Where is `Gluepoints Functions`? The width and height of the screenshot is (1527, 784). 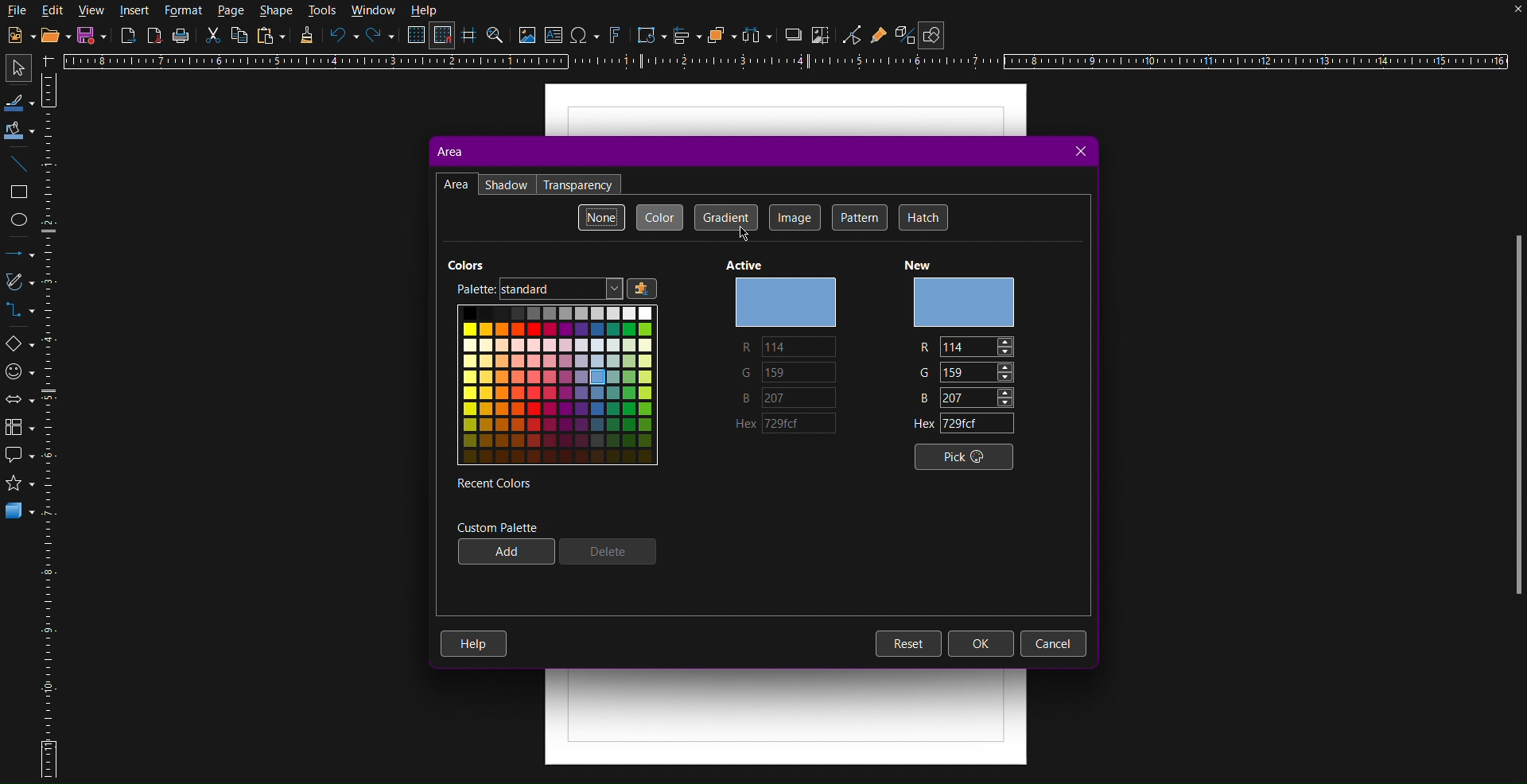 Gluepoints Functions is located at coordinates (880, 34).